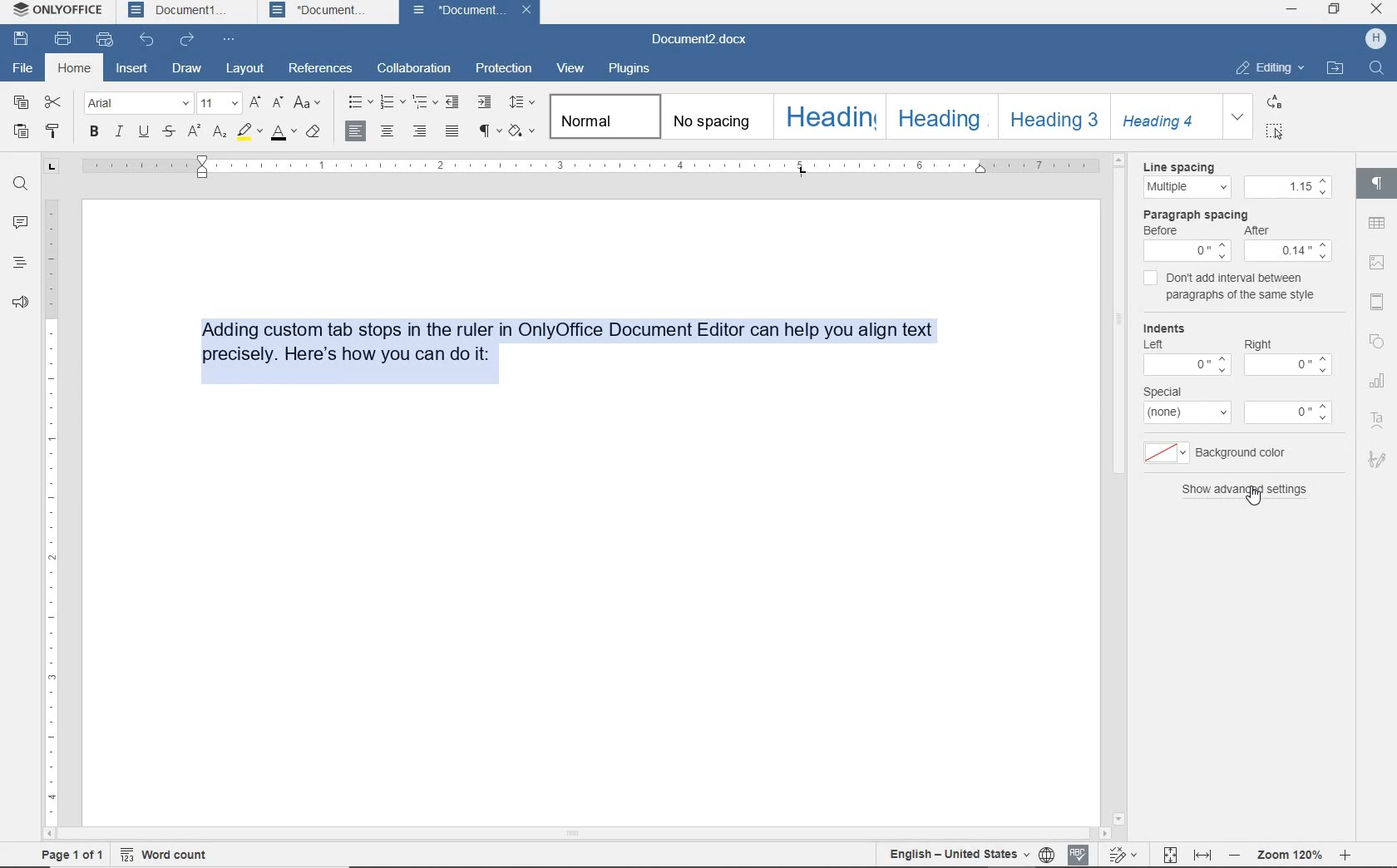  Describe the element at coordinates (1258, 501) in the screenshot. I see `cursor` at that location.